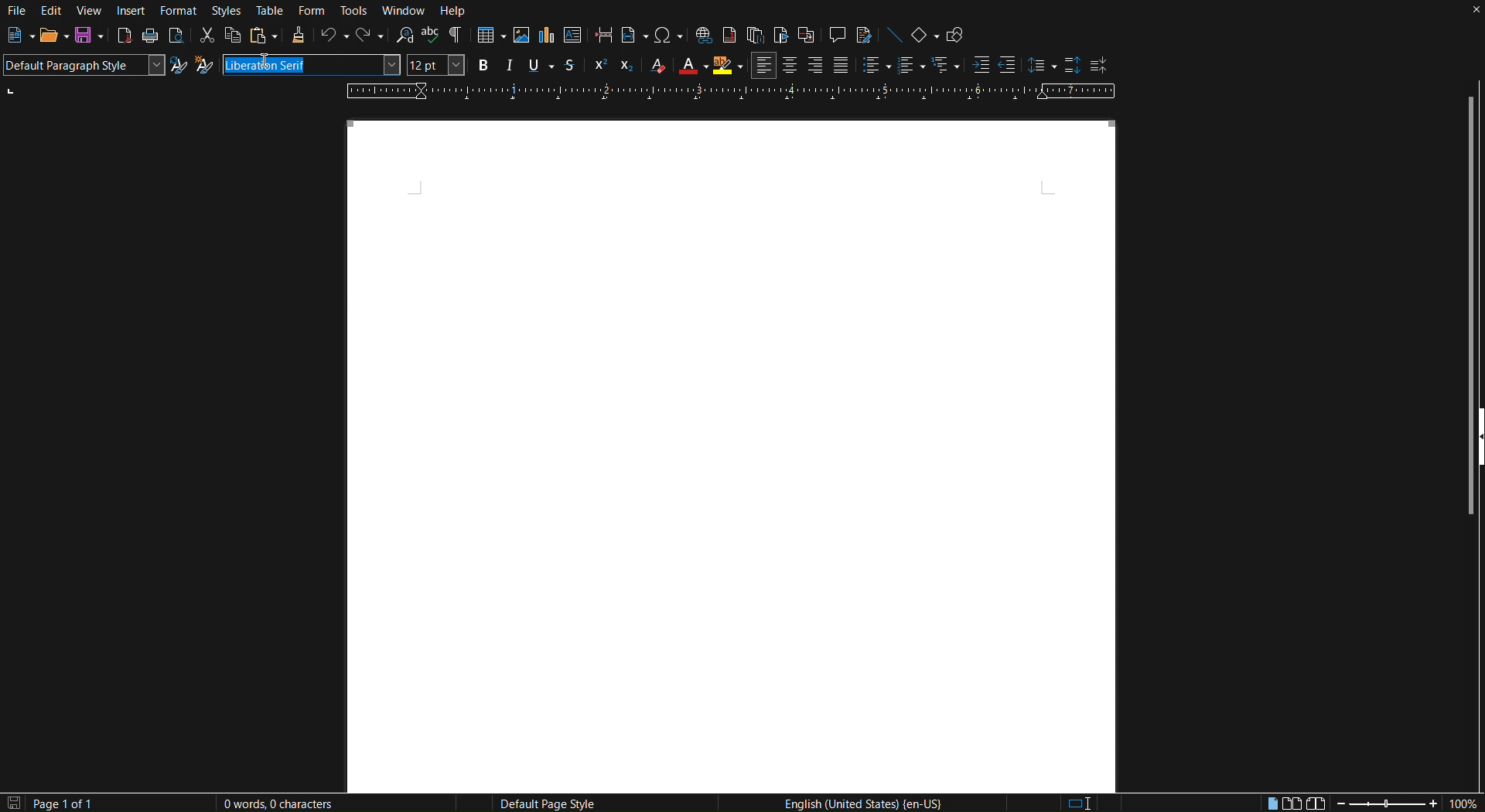 This screenshot has width=1485, height=812. What do you see at coordinates (764, 66) in the screenshot?
I see `Left Align` at bounding box center [764, 66].